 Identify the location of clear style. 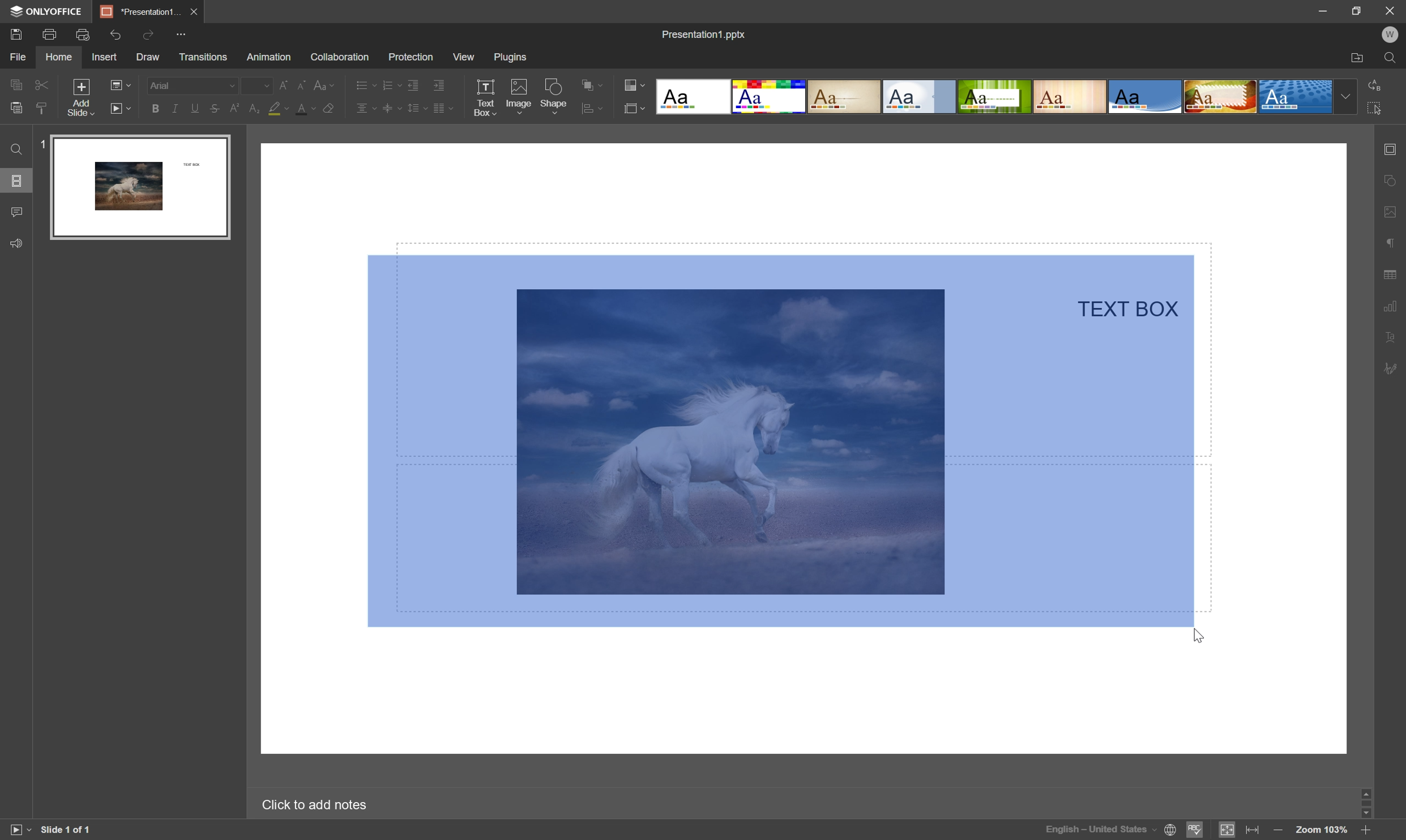
(44, 109).